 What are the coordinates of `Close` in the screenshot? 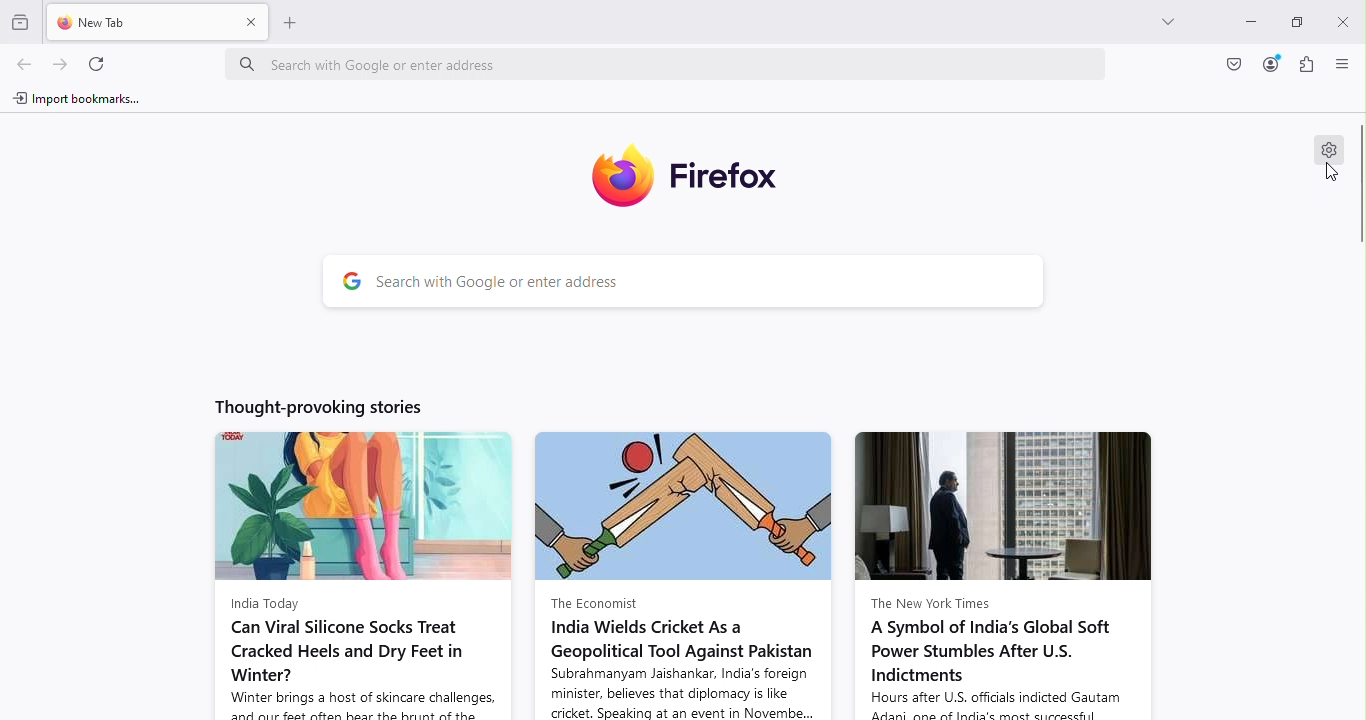 It's located at (1340, 19).